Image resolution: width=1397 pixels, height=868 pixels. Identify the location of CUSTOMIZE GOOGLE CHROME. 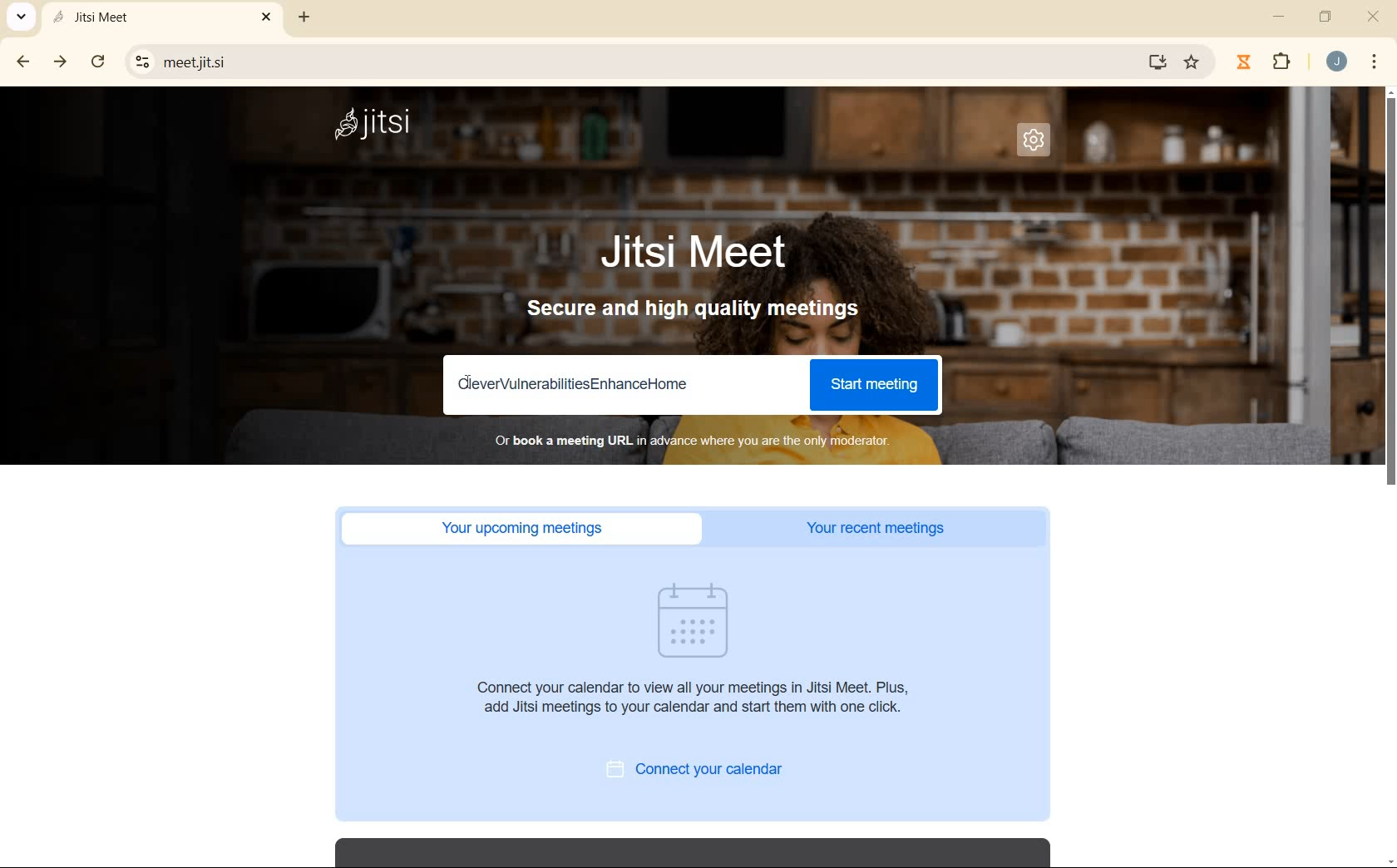
(1374, 62).